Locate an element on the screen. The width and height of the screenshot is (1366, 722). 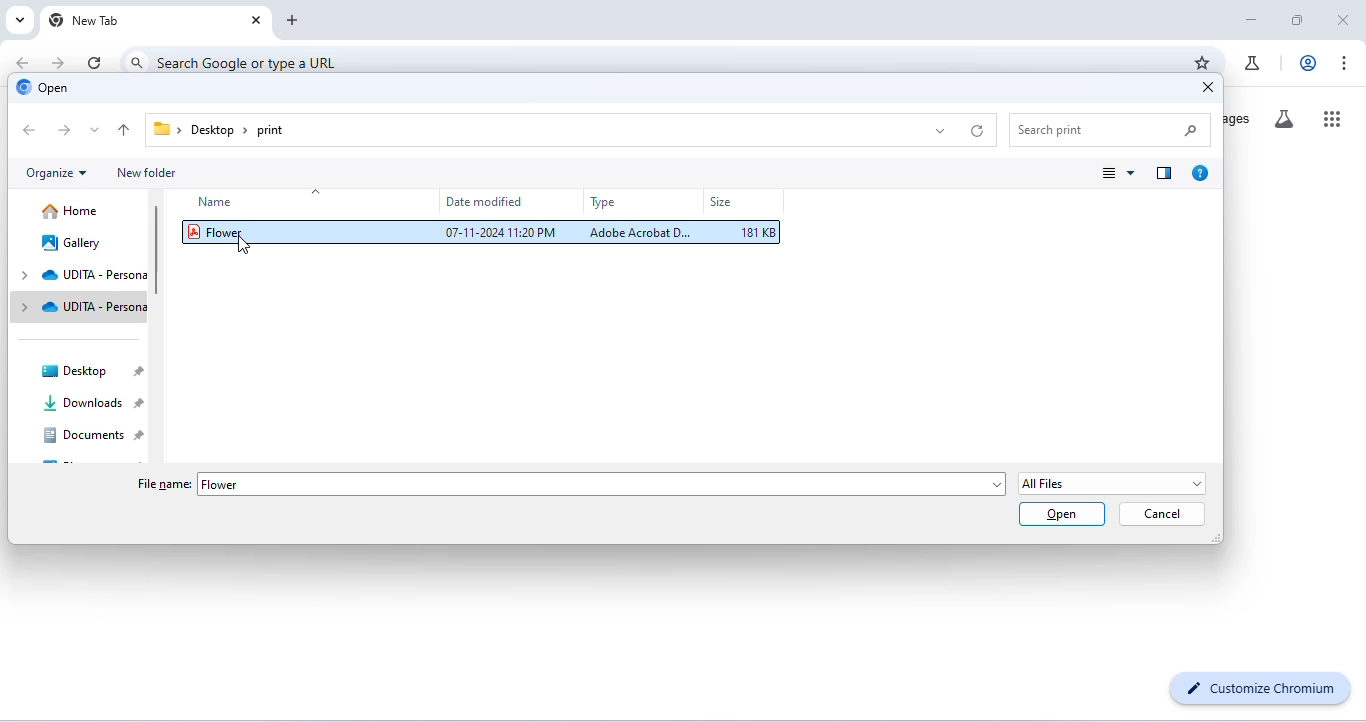
select file type is located at coordinates (1114, 485).